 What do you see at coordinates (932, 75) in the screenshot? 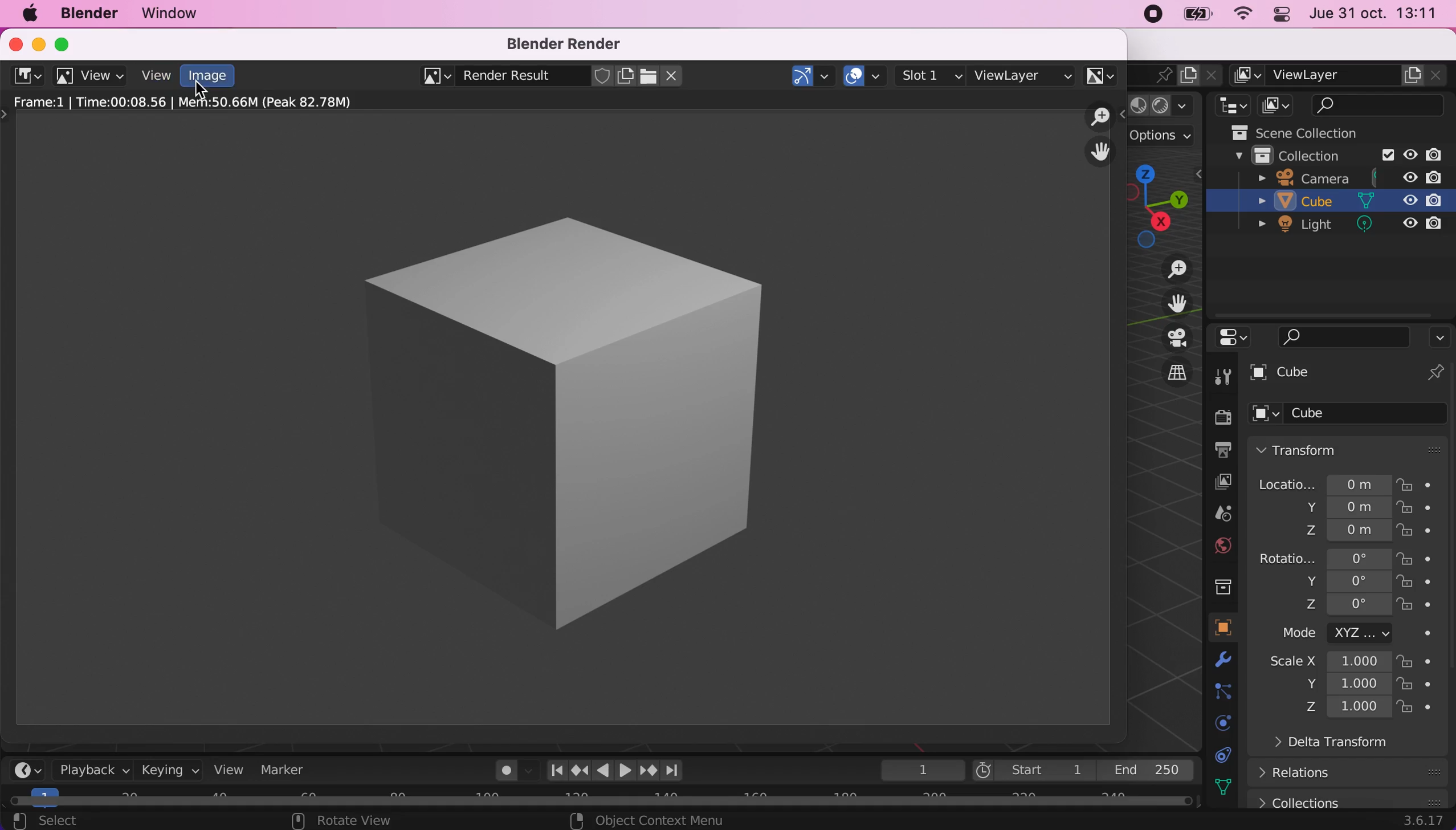
I see `slot 1` at bounding box center [932, 75].